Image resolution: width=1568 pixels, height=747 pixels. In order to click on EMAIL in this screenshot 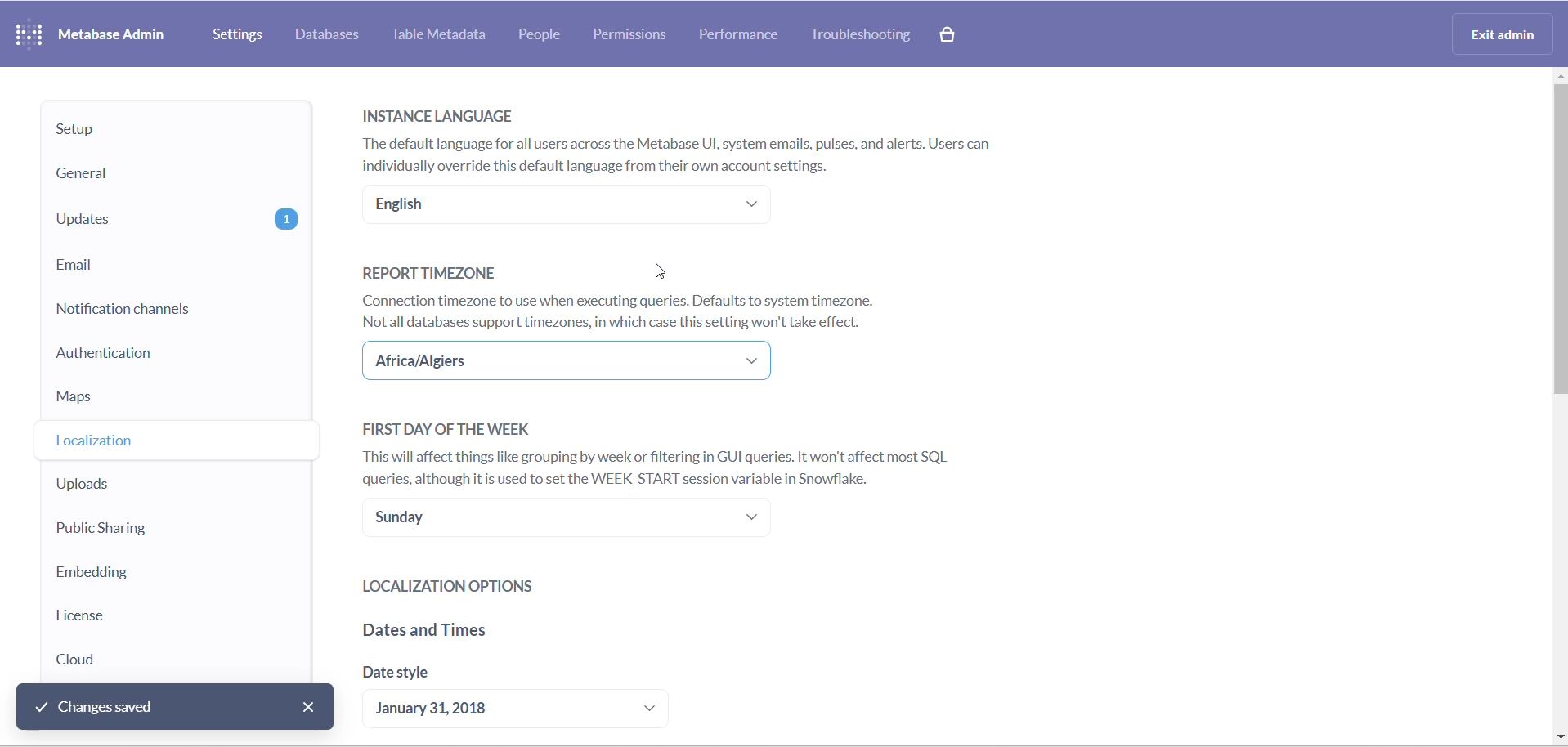, I will do `click(177, 265)`.